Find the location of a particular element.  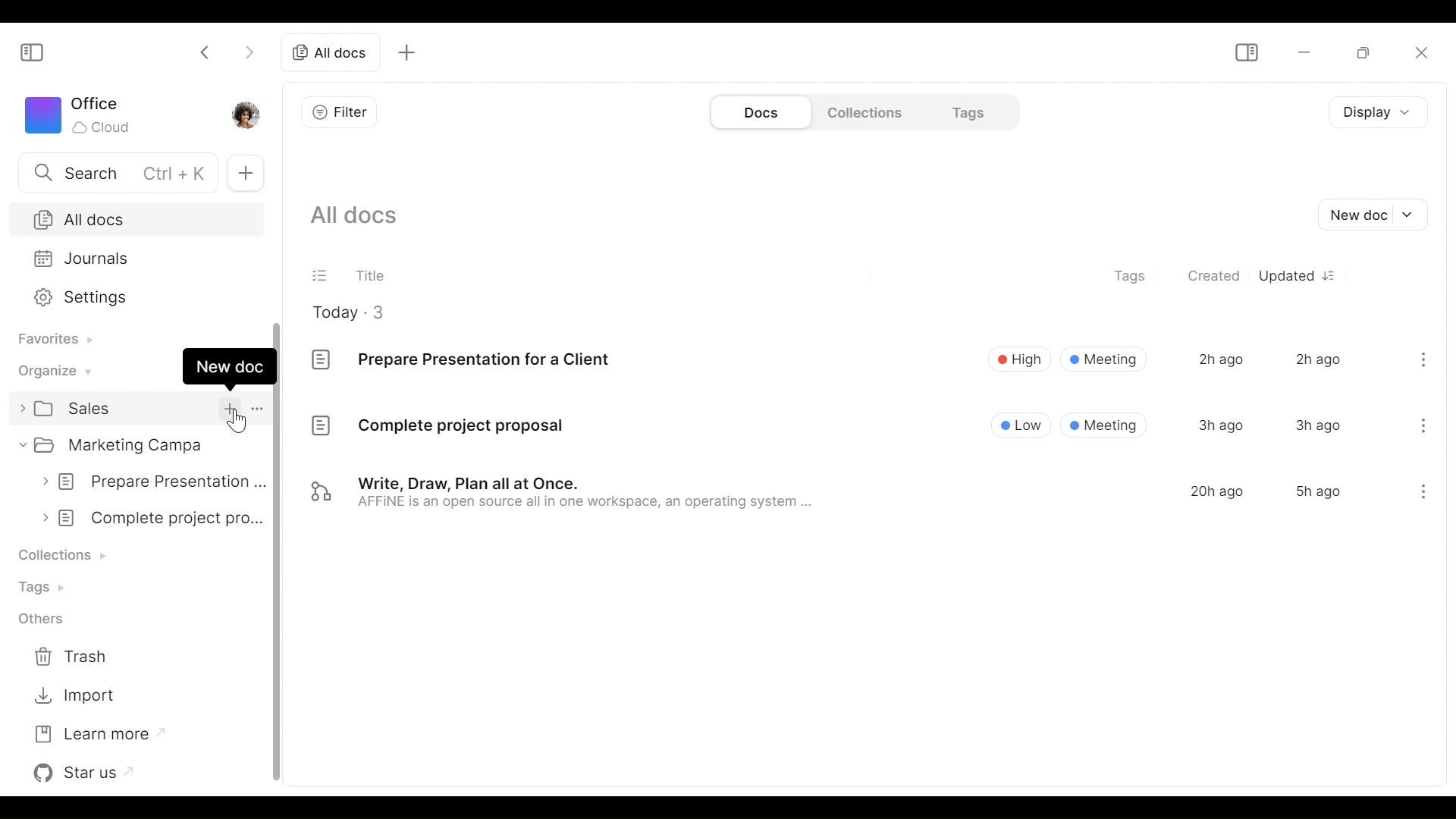

add tab is located at coordinates (412, 52).